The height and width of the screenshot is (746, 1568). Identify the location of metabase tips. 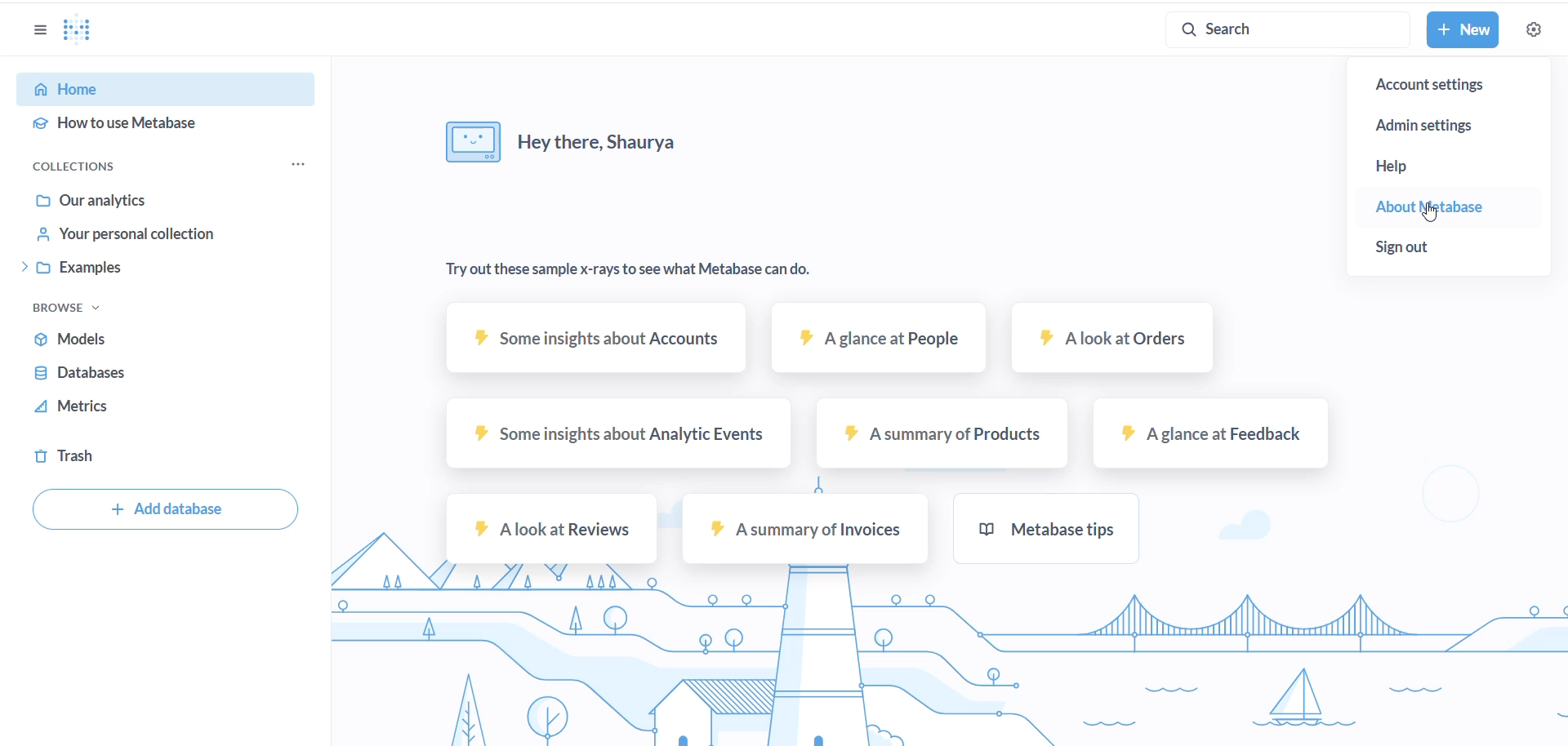
(1046, 531).